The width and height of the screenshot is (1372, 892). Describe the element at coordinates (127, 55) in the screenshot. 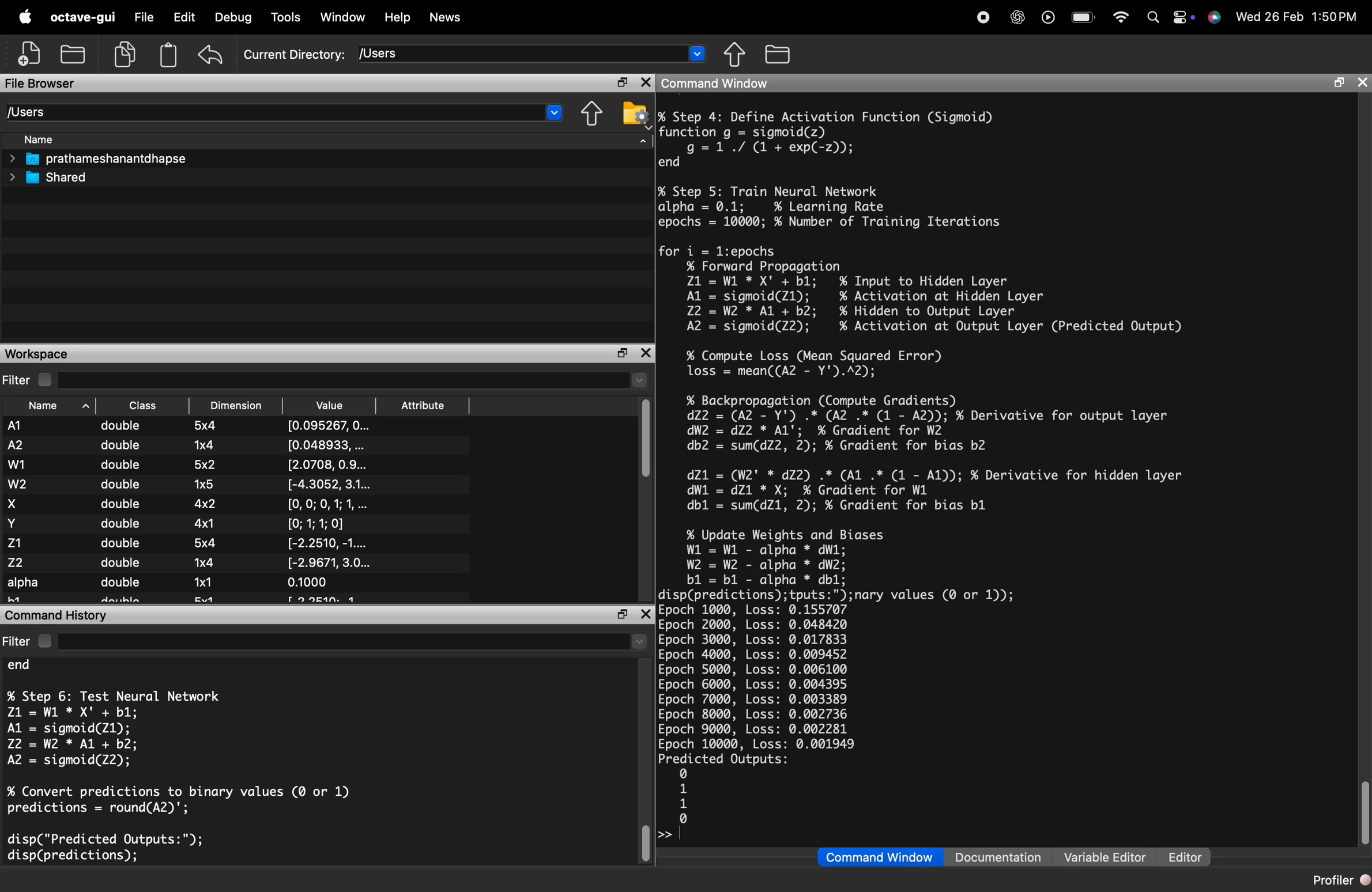

I see `copy` at that location.